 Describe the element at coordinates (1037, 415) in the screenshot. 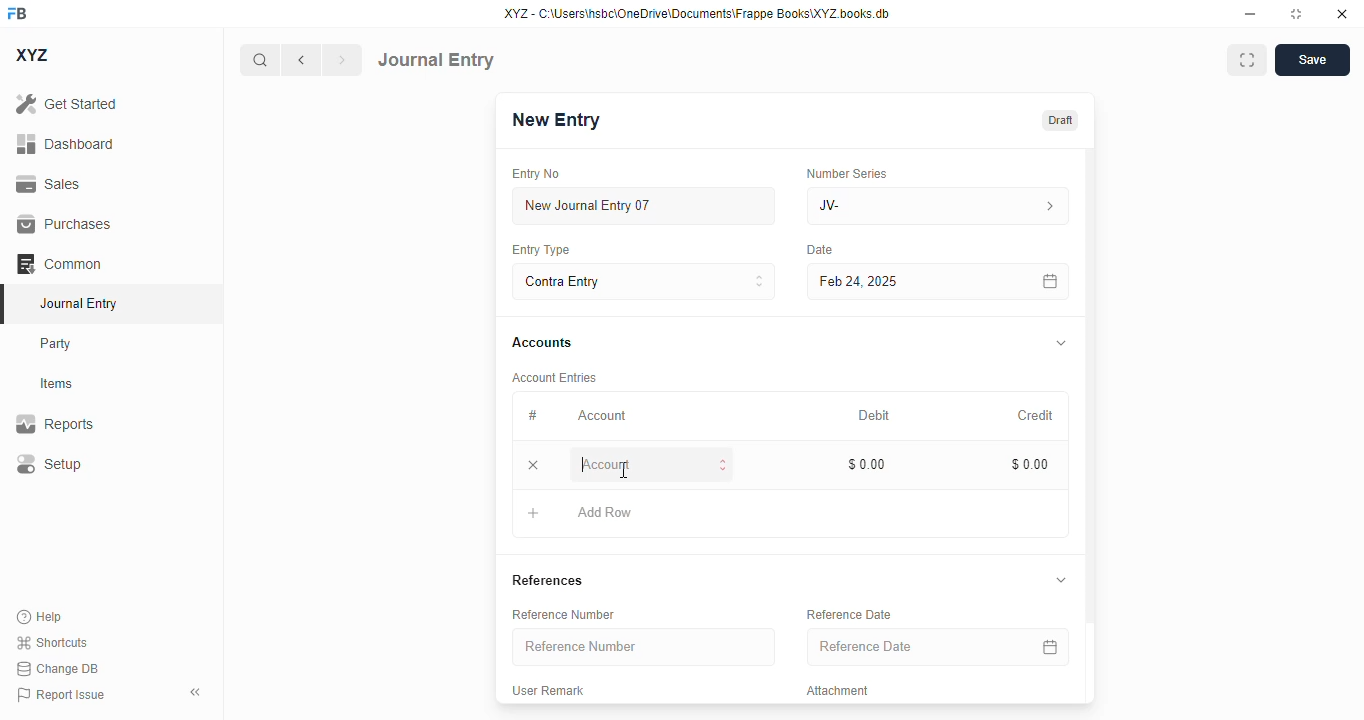

I see `credit` at that location.